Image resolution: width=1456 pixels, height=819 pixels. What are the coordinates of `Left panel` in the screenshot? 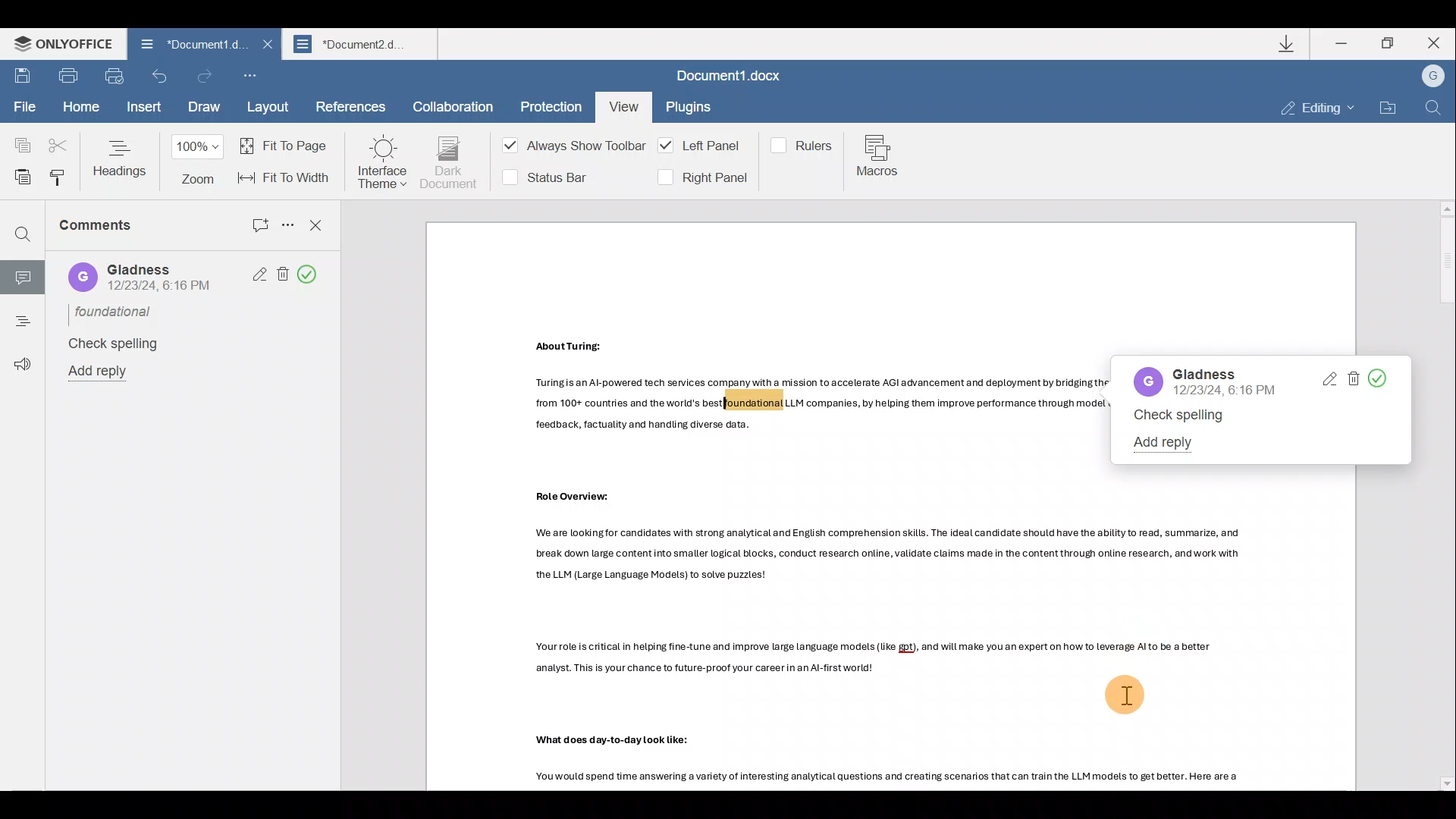 It's located at (702, 146).